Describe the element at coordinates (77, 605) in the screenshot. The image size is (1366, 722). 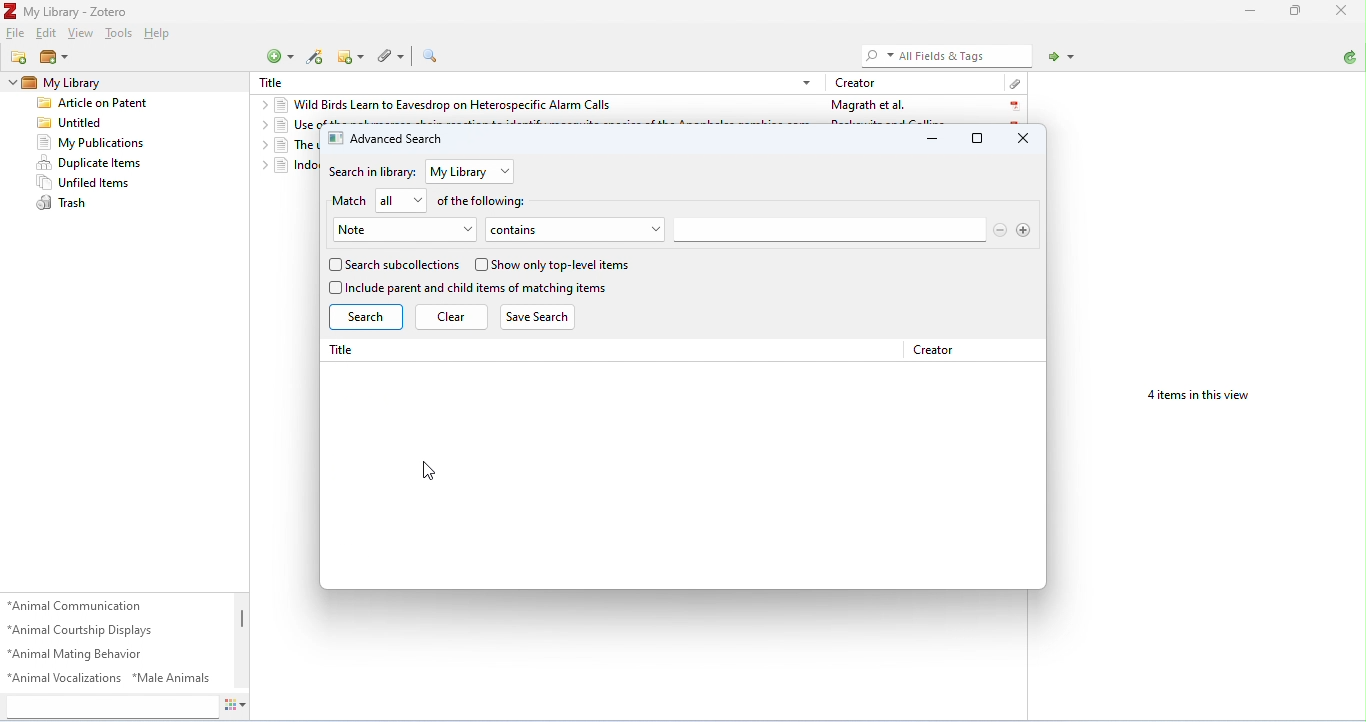
I see `animal communication` at that location.